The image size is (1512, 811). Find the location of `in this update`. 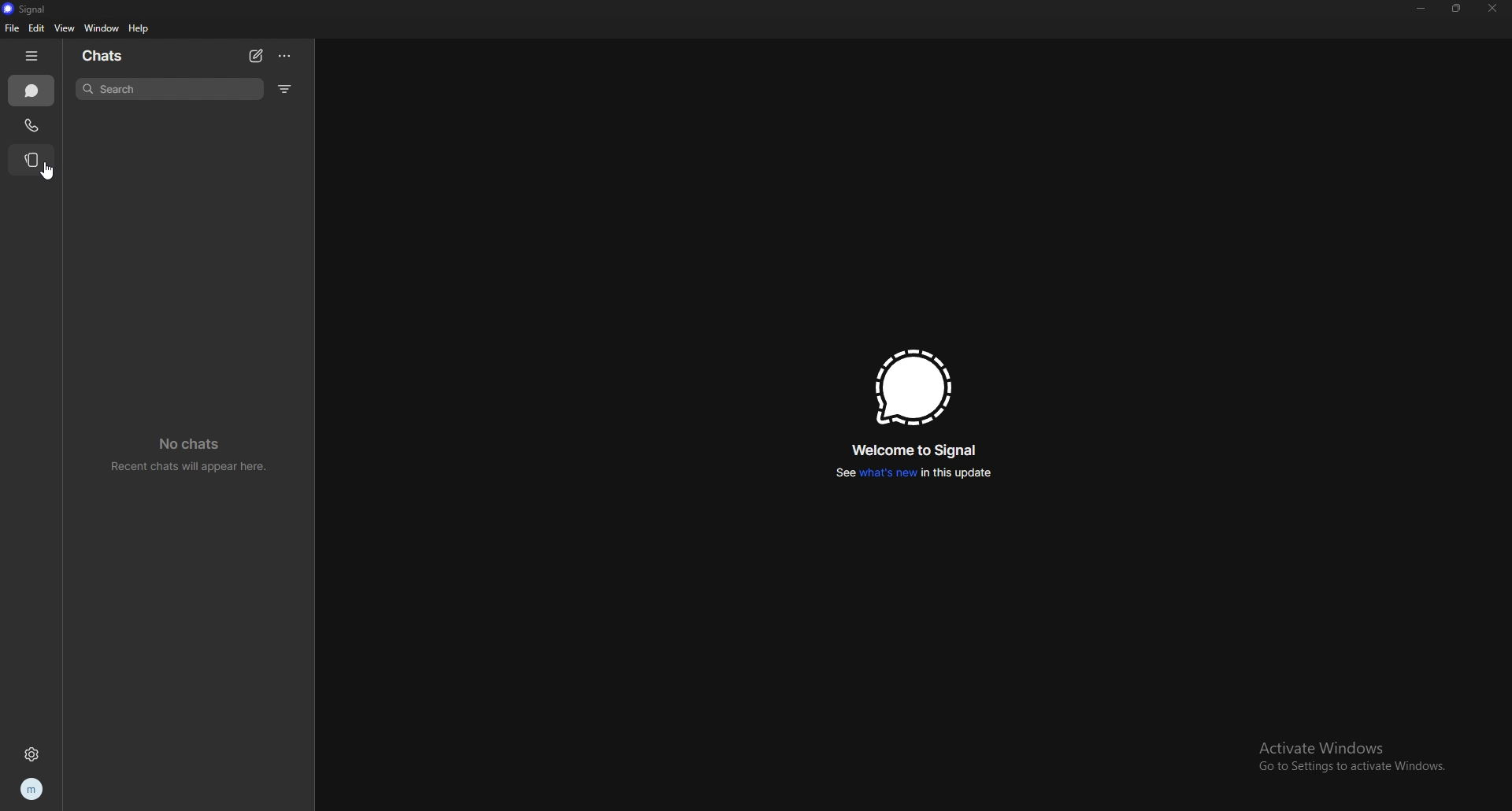

in this update is located at coordinates (955, 472).